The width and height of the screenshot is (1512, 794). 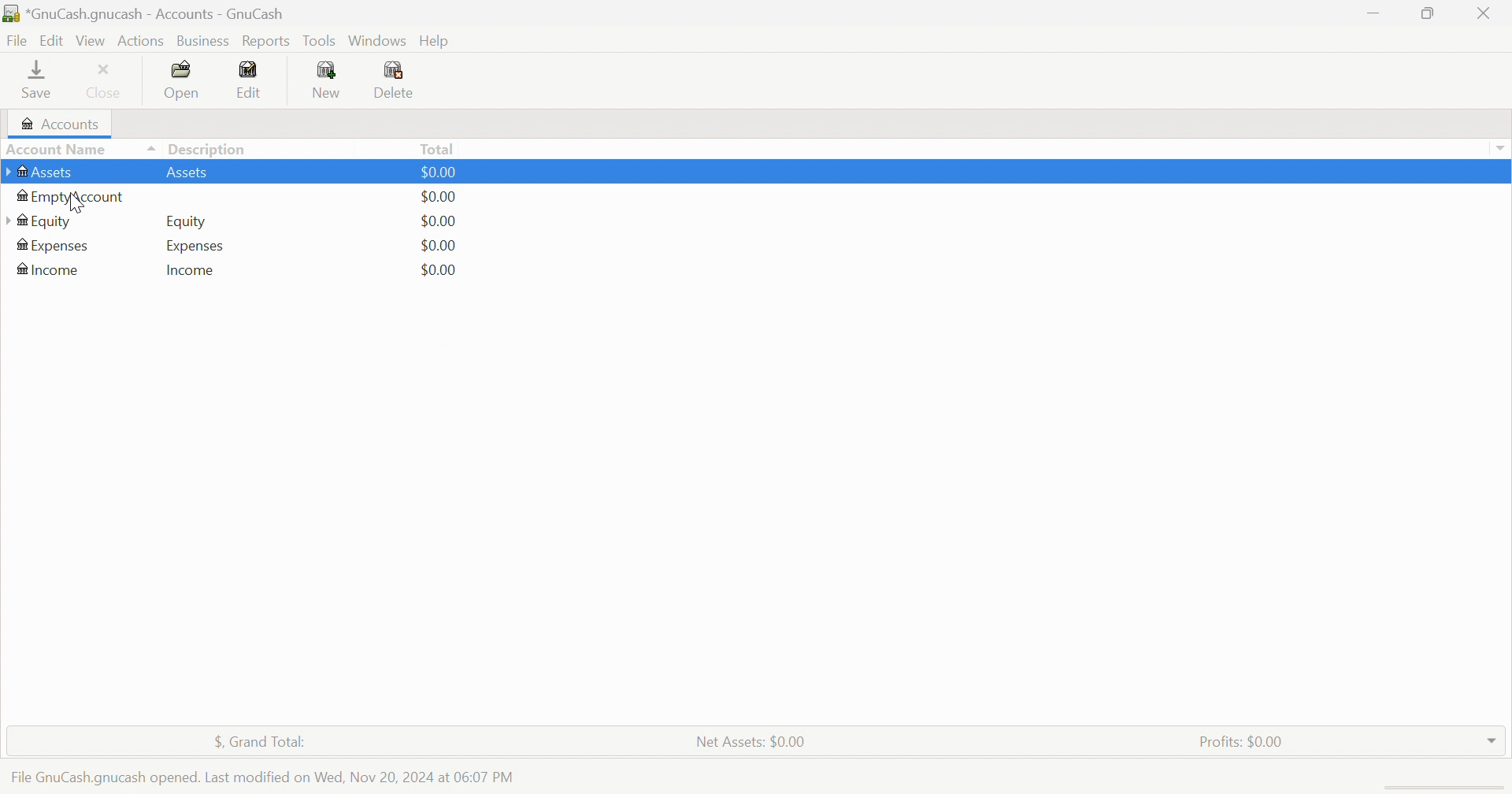 I want to click on Net Assets: $0.00, so click(x=744, y=740).